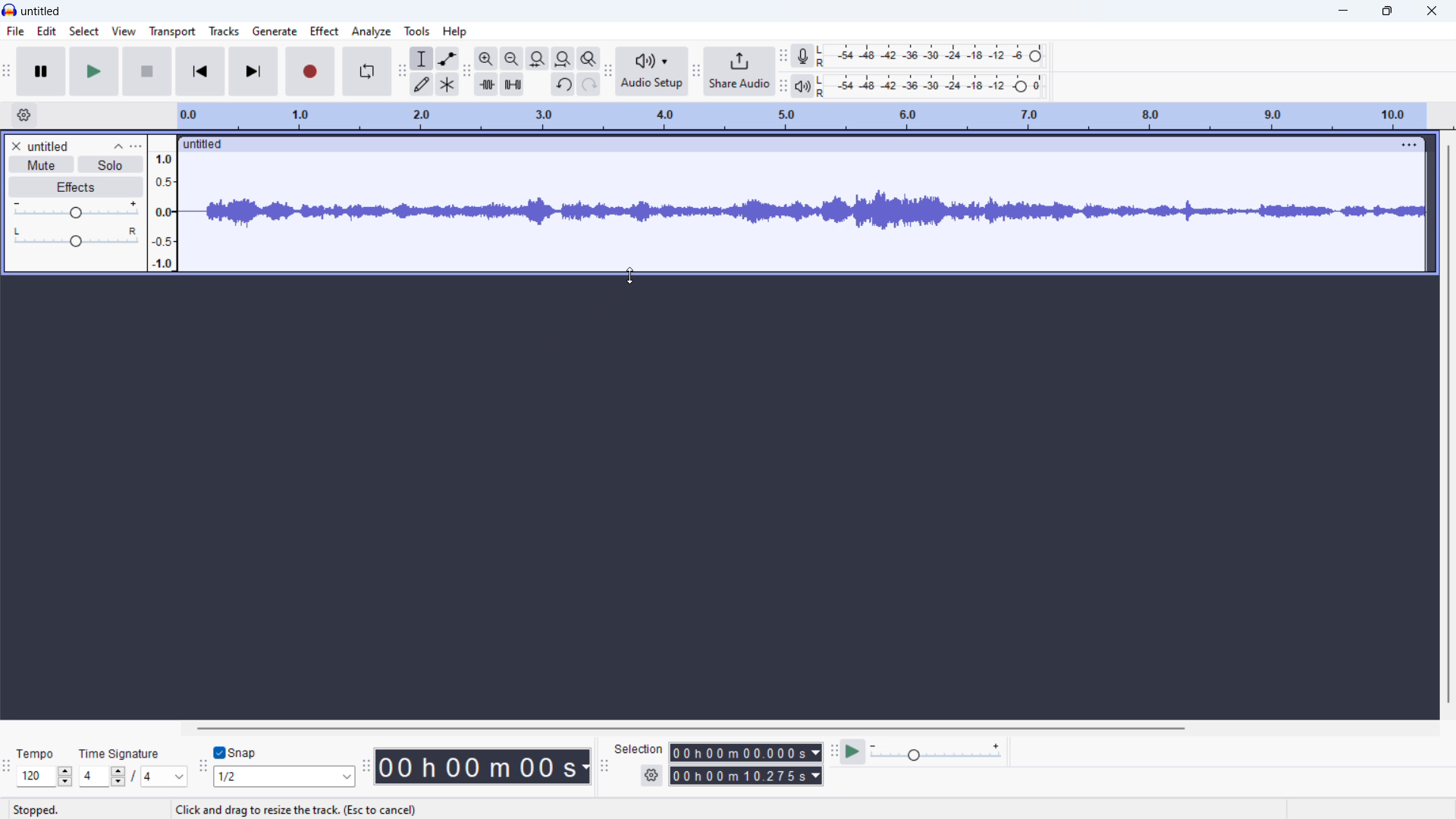 The height and width of the screenshot is (819, 1456). I want to click on vertical scrollbar, so click(1449, 424).